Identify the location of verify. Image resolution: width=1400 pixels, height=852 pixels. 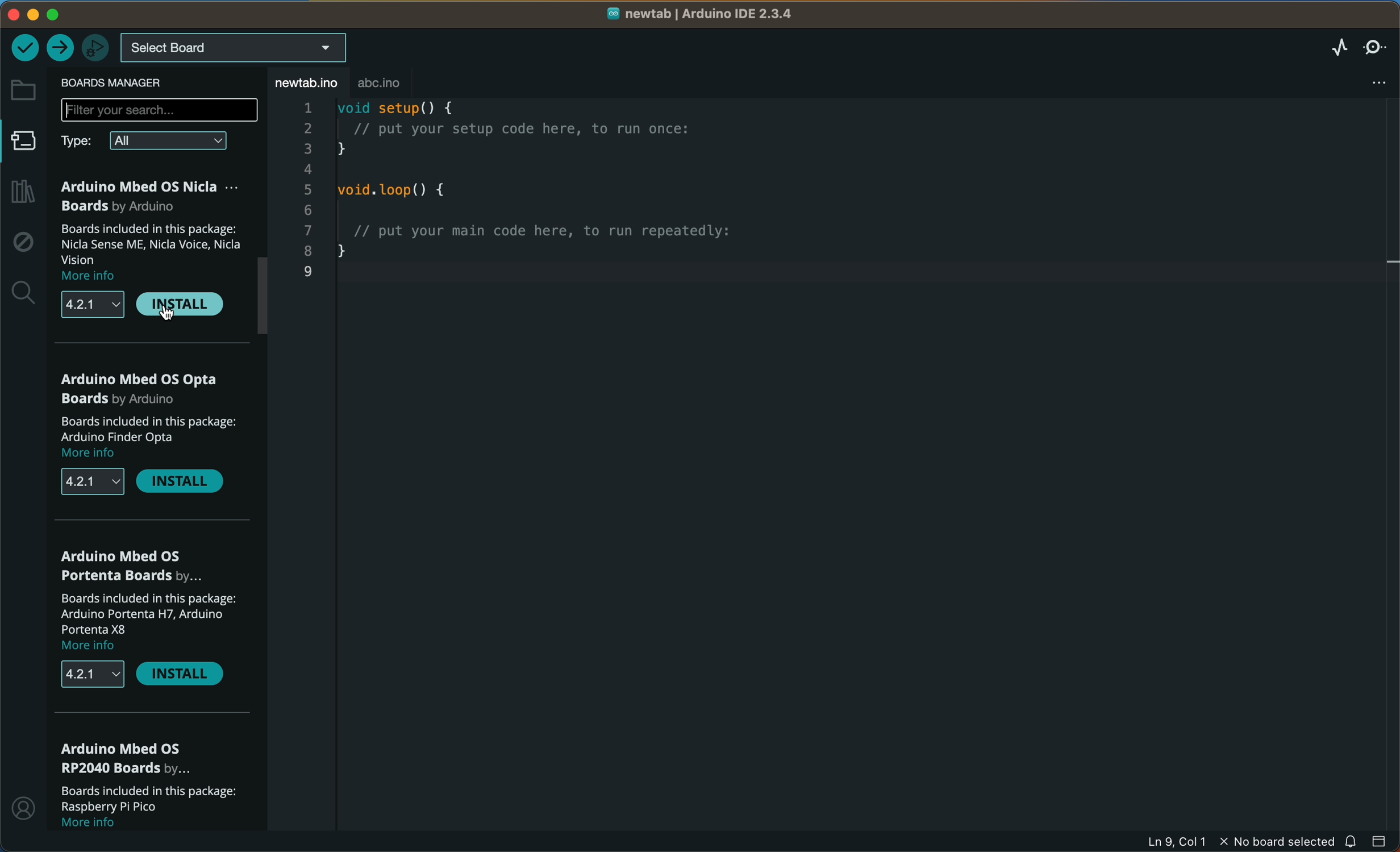
(26, 49).